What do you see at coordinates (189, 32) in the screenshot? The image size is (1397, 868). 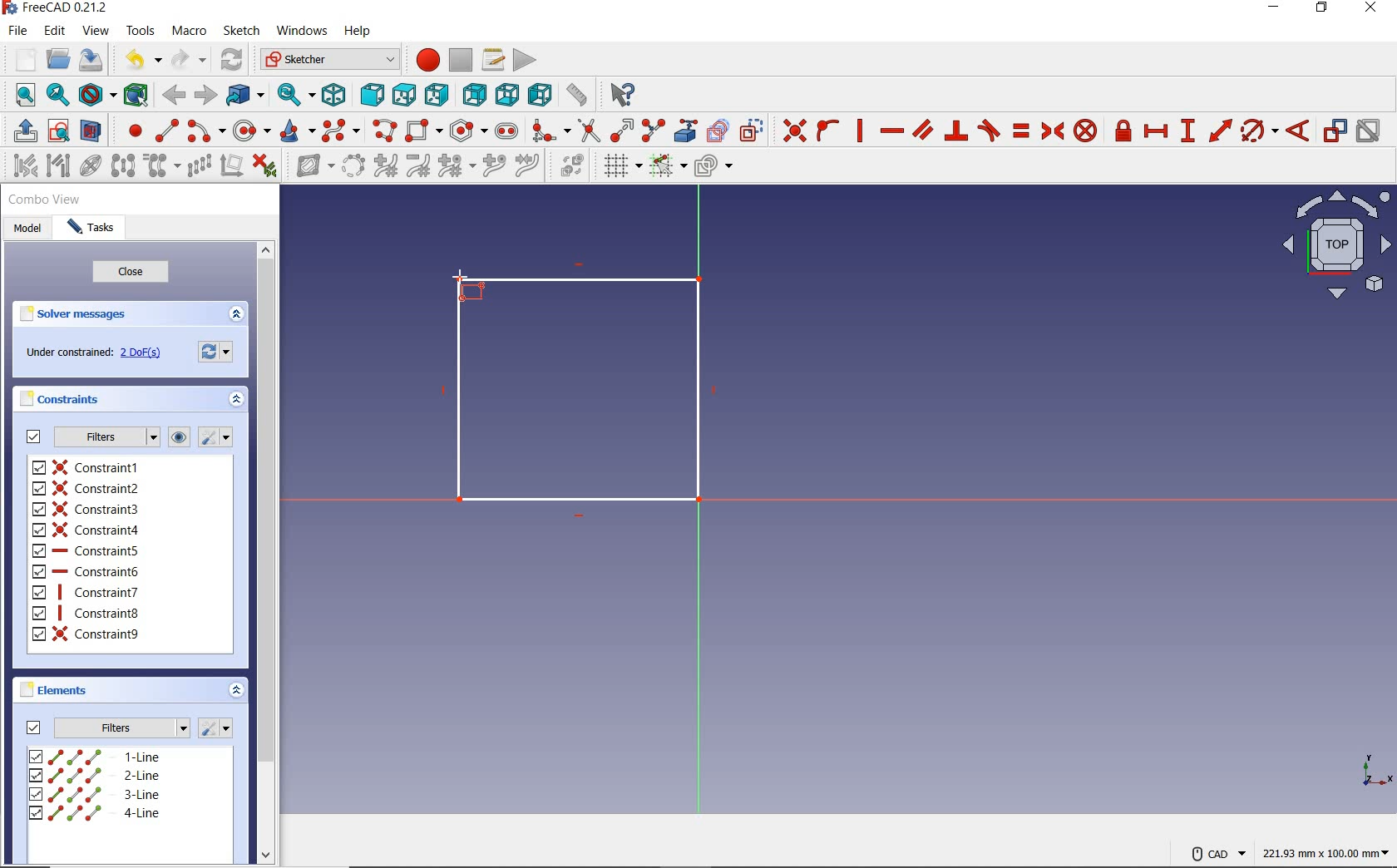 I see `macro` at bounding box center [189, 32].